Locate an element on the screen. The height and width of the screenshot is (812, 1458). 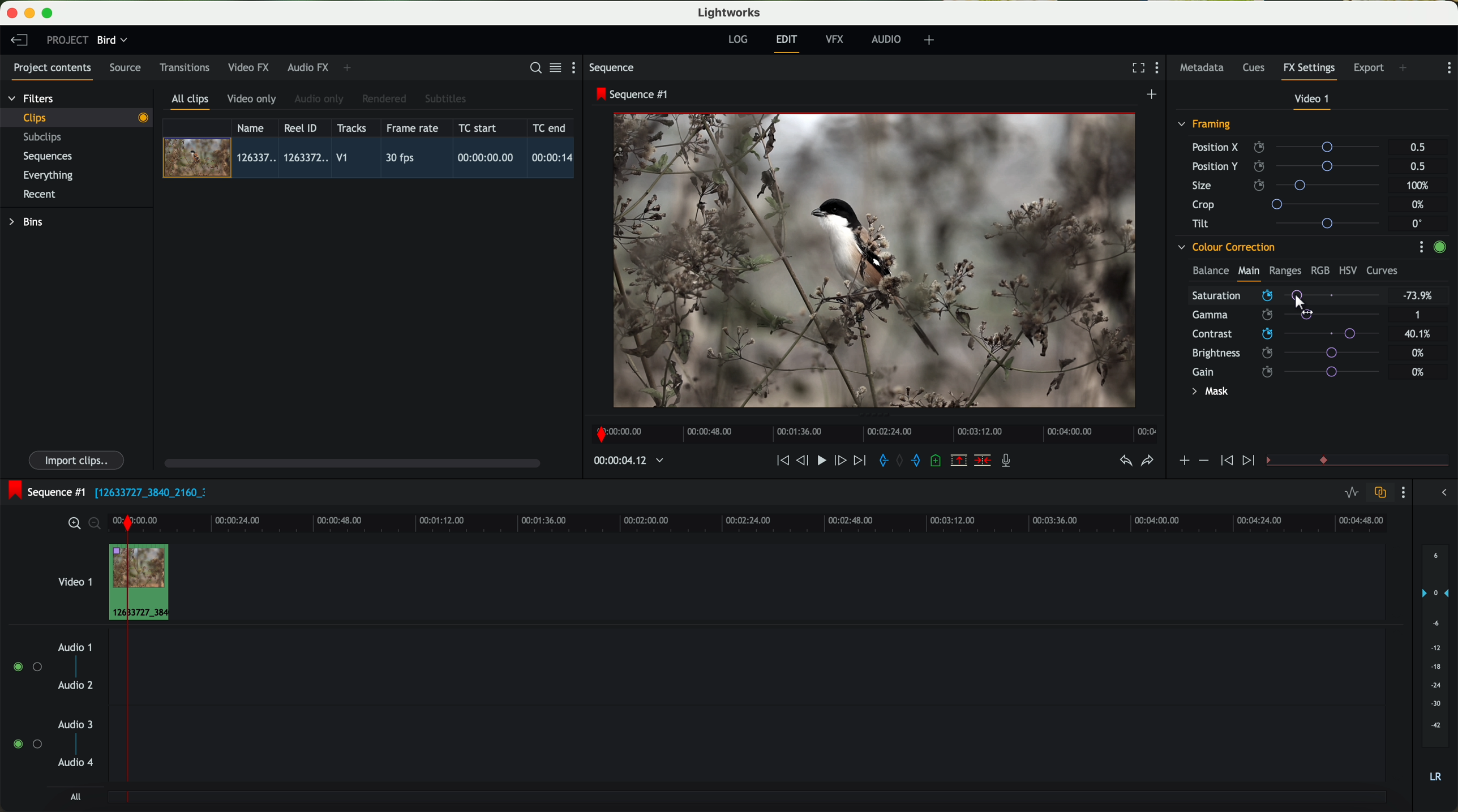
timeline is located at coordinates (784, 522).